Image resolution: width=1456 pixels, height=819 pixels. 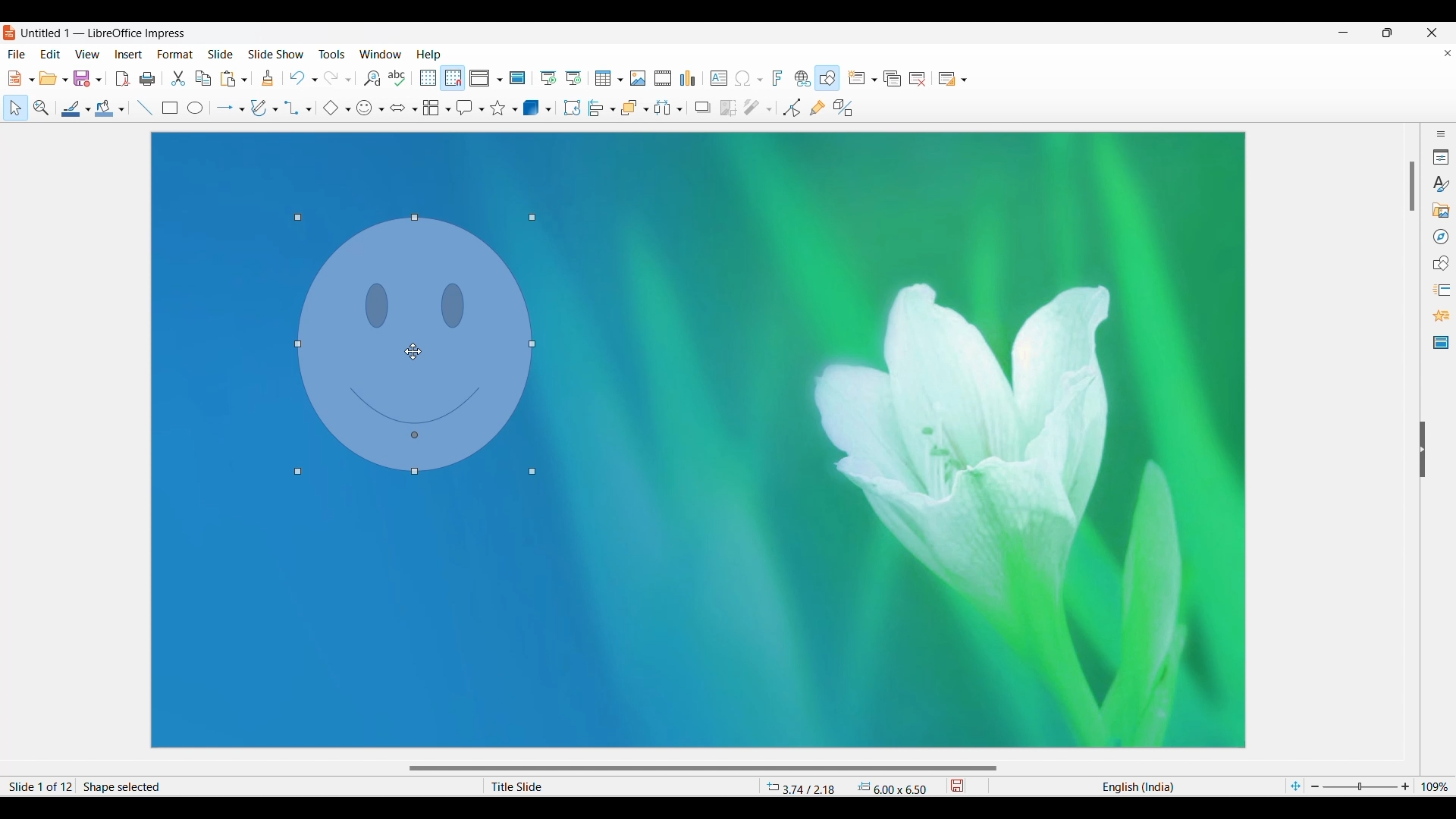 What do you see at coordinates (83, 78) in the screenshot?
I see `Save` at bounding box center [83, 78].